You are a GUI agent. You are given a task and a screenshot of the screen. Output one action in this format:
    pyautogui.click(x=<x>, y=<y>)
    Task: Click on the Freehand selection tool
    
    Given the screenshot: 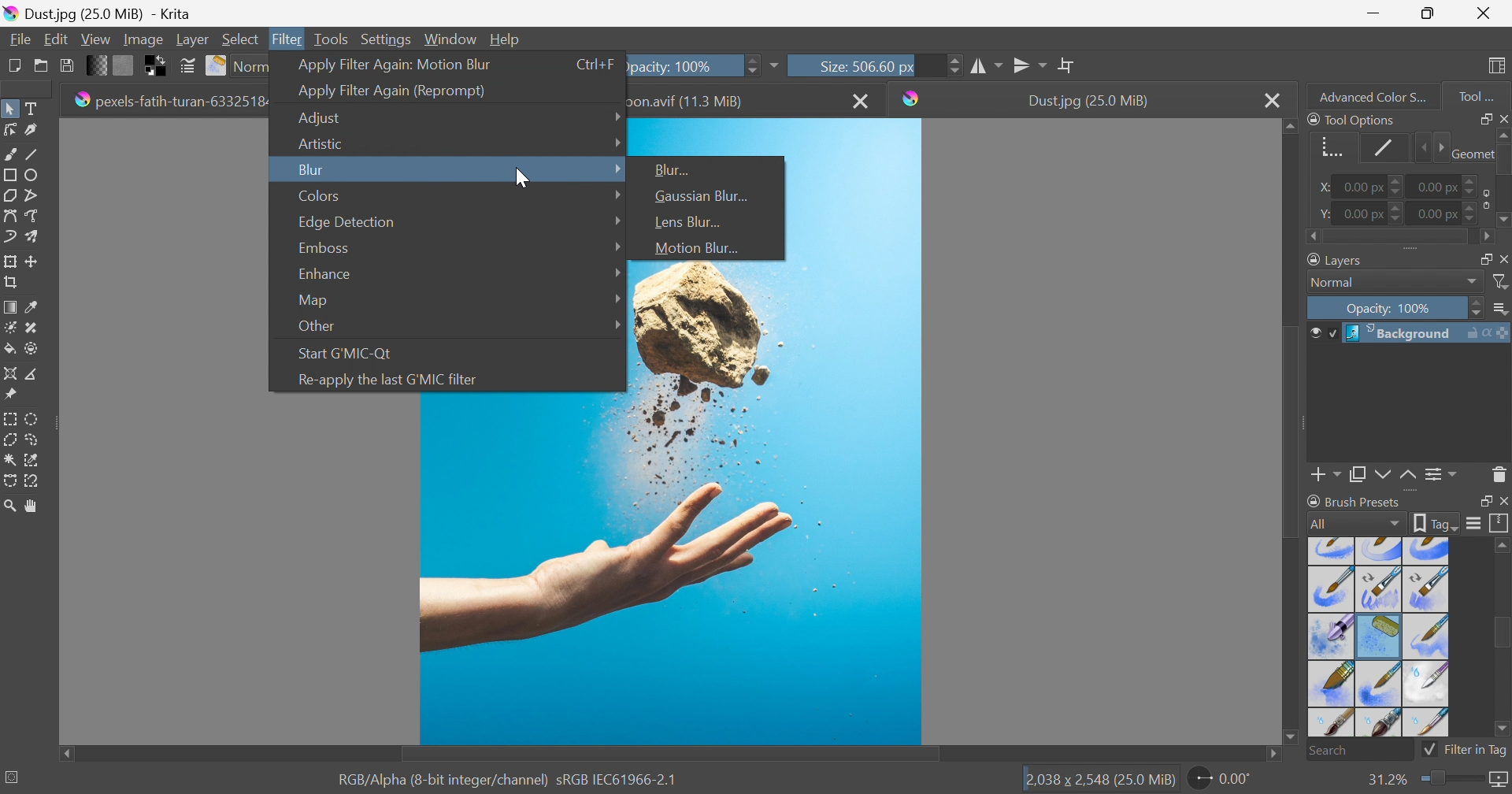 What is the action you would take?
    pyautogui.click(x=33, y=440)
    